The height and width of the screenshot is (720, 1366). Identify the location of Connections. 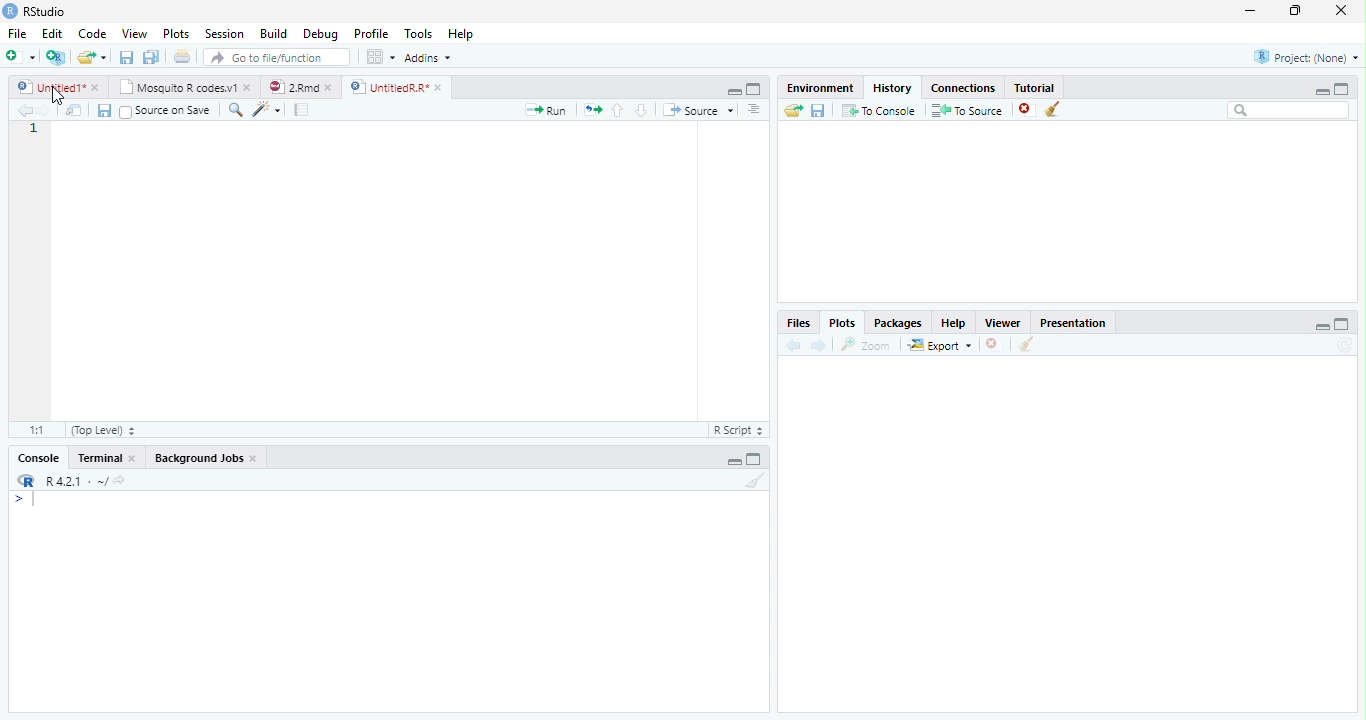
(963, 87).